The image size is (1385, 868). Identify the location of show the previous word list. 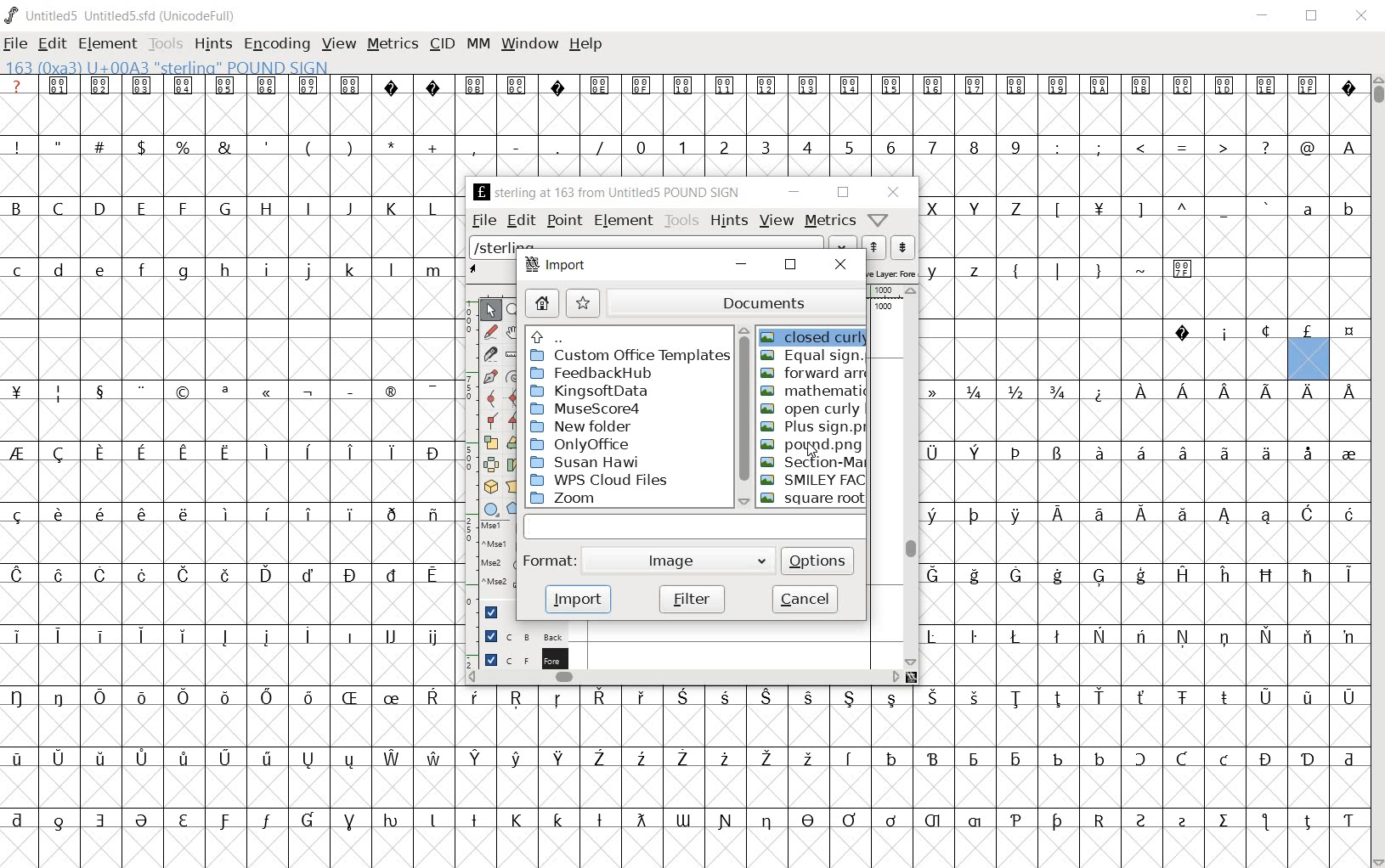
(875, 248).